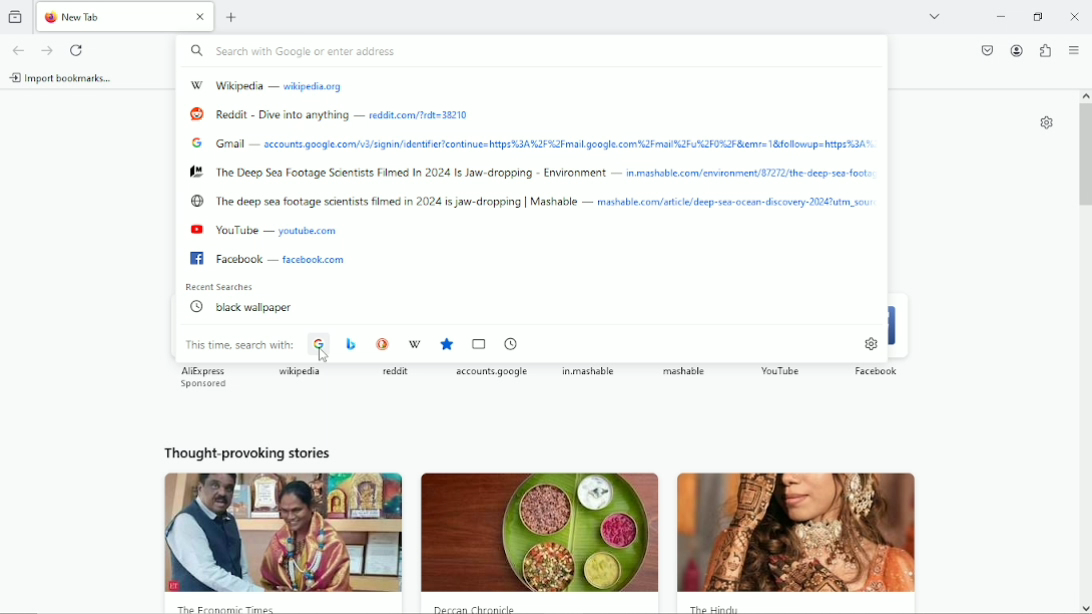 The height and width of the screenshot is (614, 1092). Describe the element at coordinates (232, 18) in the screenshot. I see `add tab` at that location.